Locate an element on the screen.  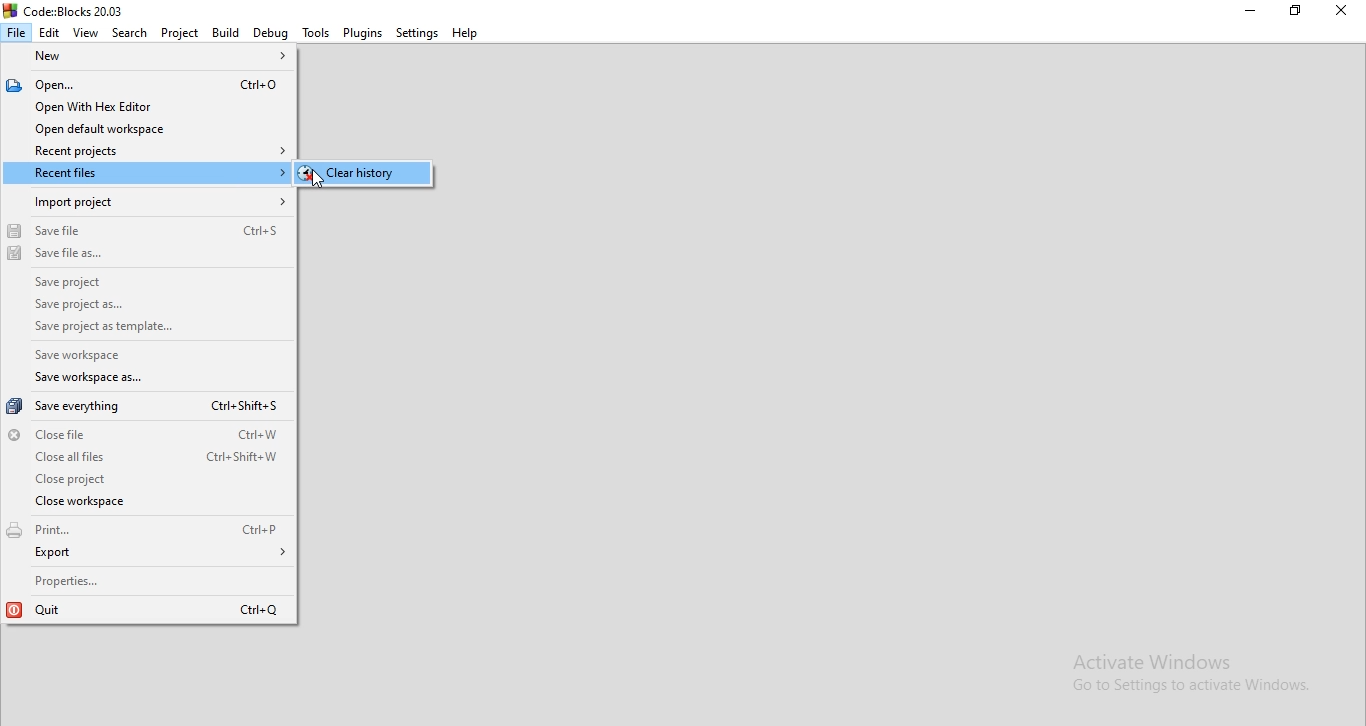
Export is located at coordinates (149, 557).